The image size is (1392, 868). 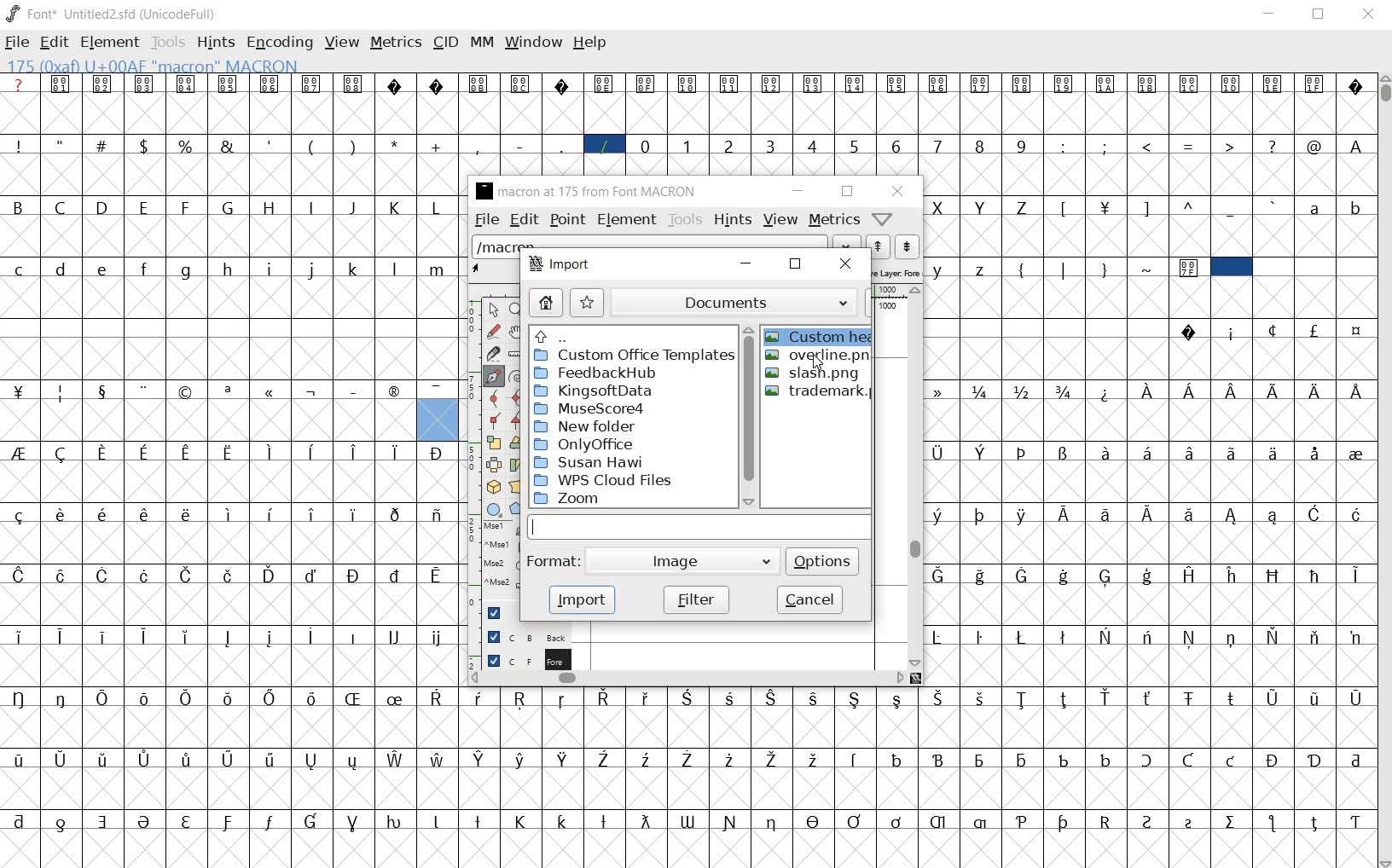 What do you see at coordinates (981, 269) in the screenshot?
I see `z` at bounding box center [981, 269].